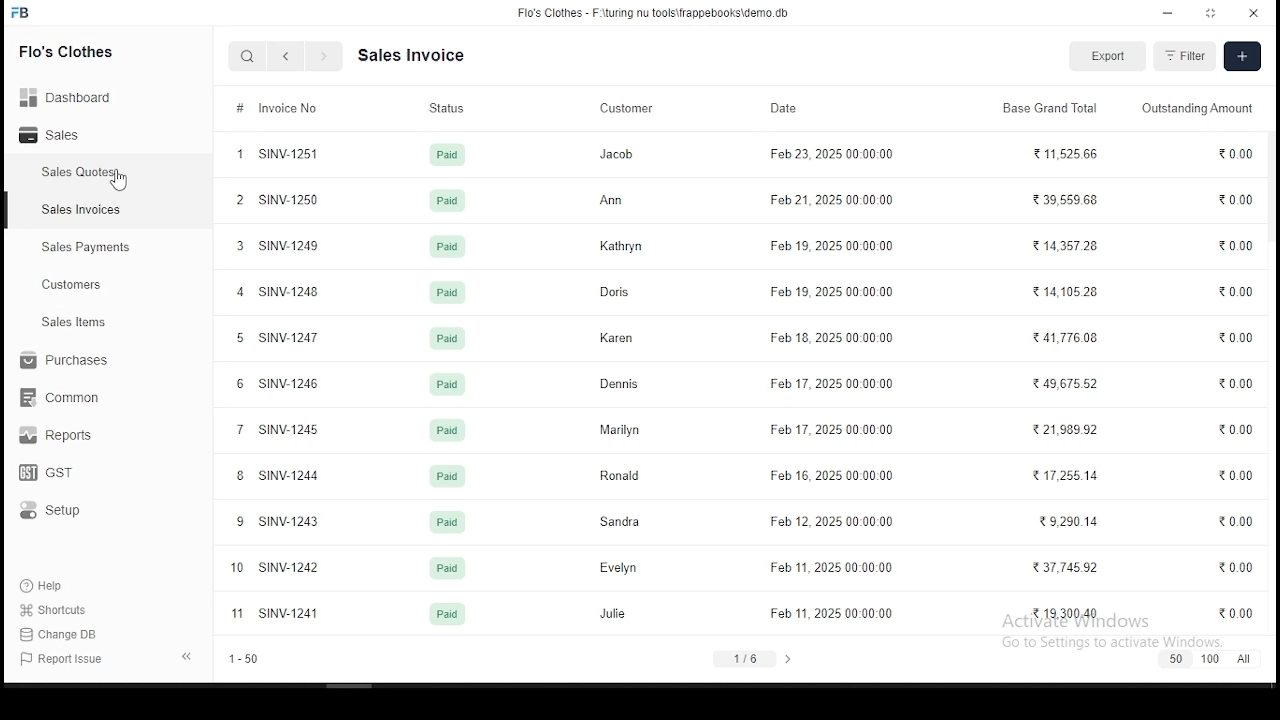  What do you see at coordinates (624, 248) in the screenshot?
I see `Kathryn` at bounding box center [624, 248].